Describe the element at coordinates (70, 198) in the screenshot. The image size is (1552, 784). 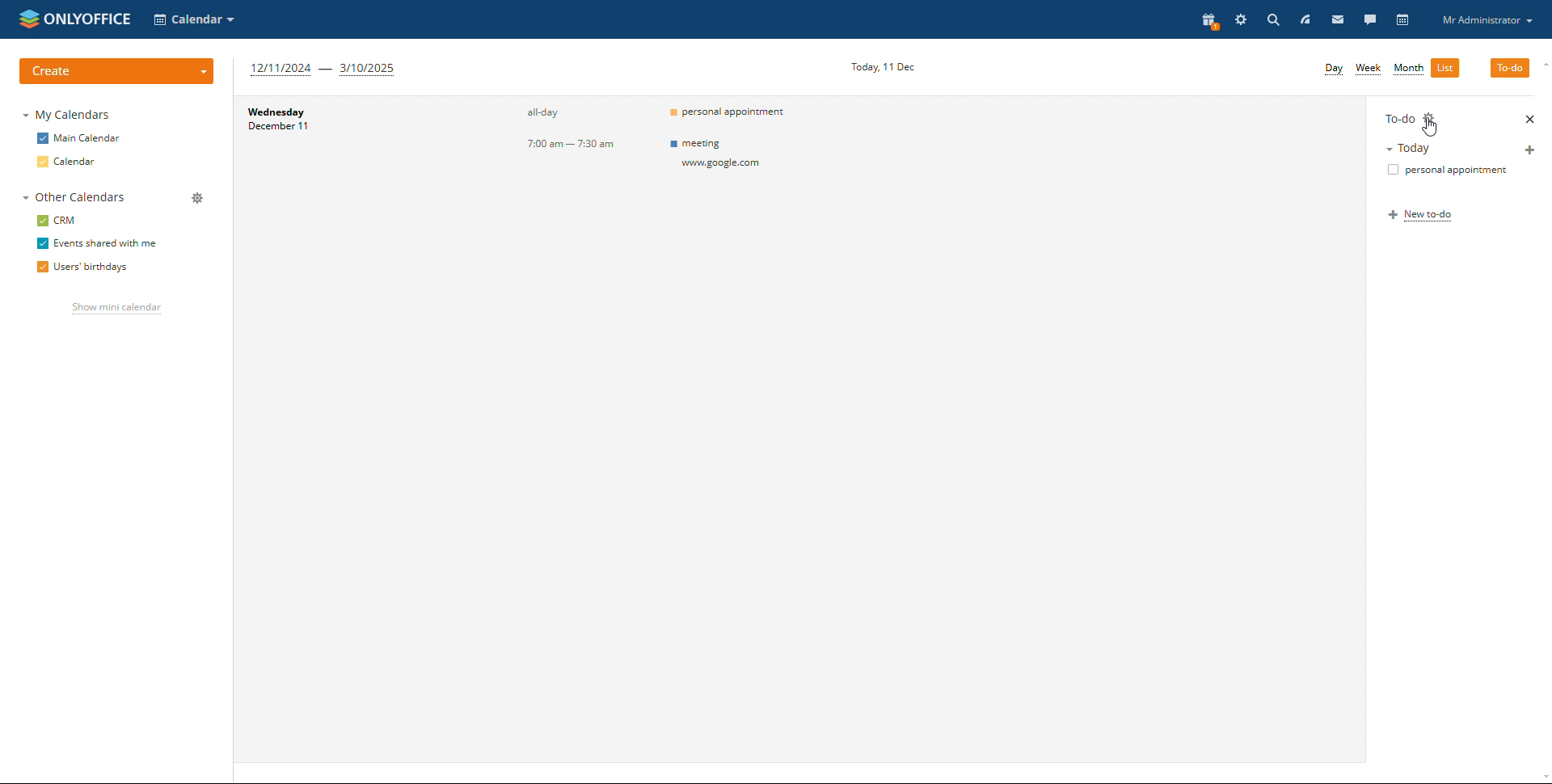
I see `other calendars` at that location.